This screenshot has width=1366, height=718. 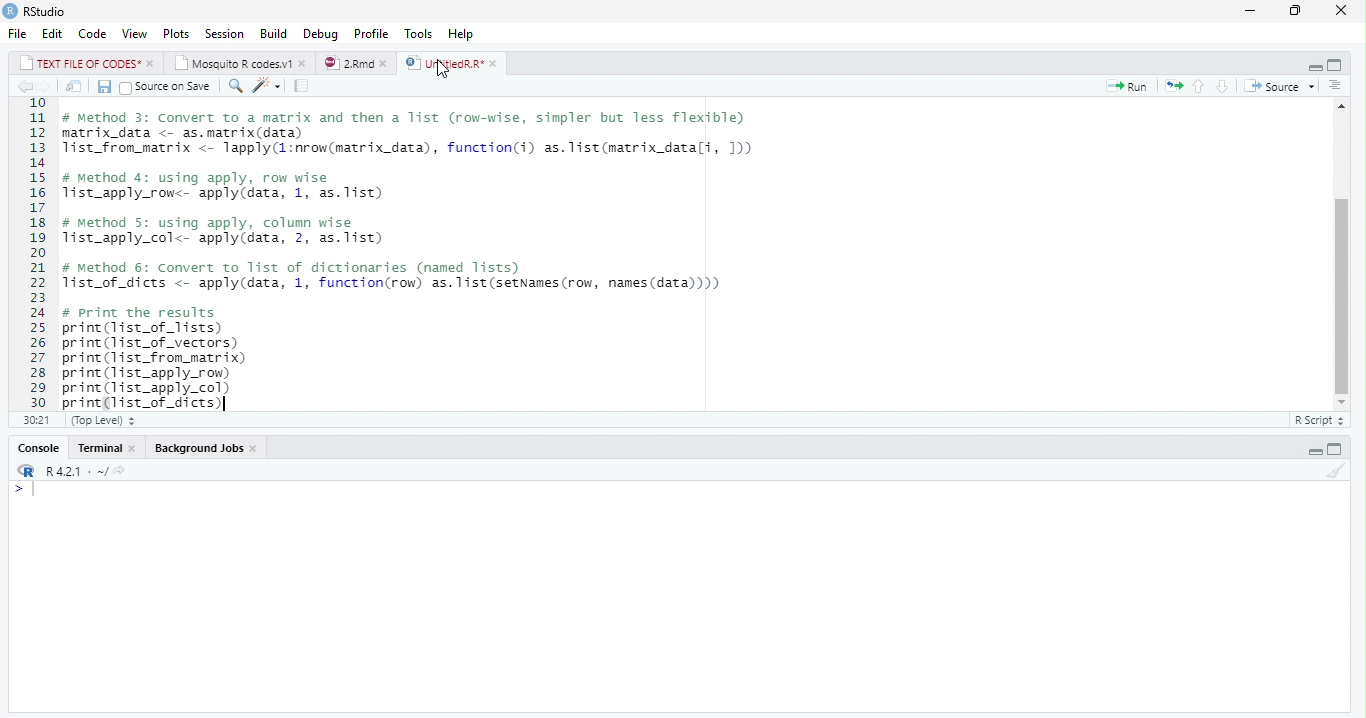 I want to click on scrollbar, so click(x=1341, y=254).